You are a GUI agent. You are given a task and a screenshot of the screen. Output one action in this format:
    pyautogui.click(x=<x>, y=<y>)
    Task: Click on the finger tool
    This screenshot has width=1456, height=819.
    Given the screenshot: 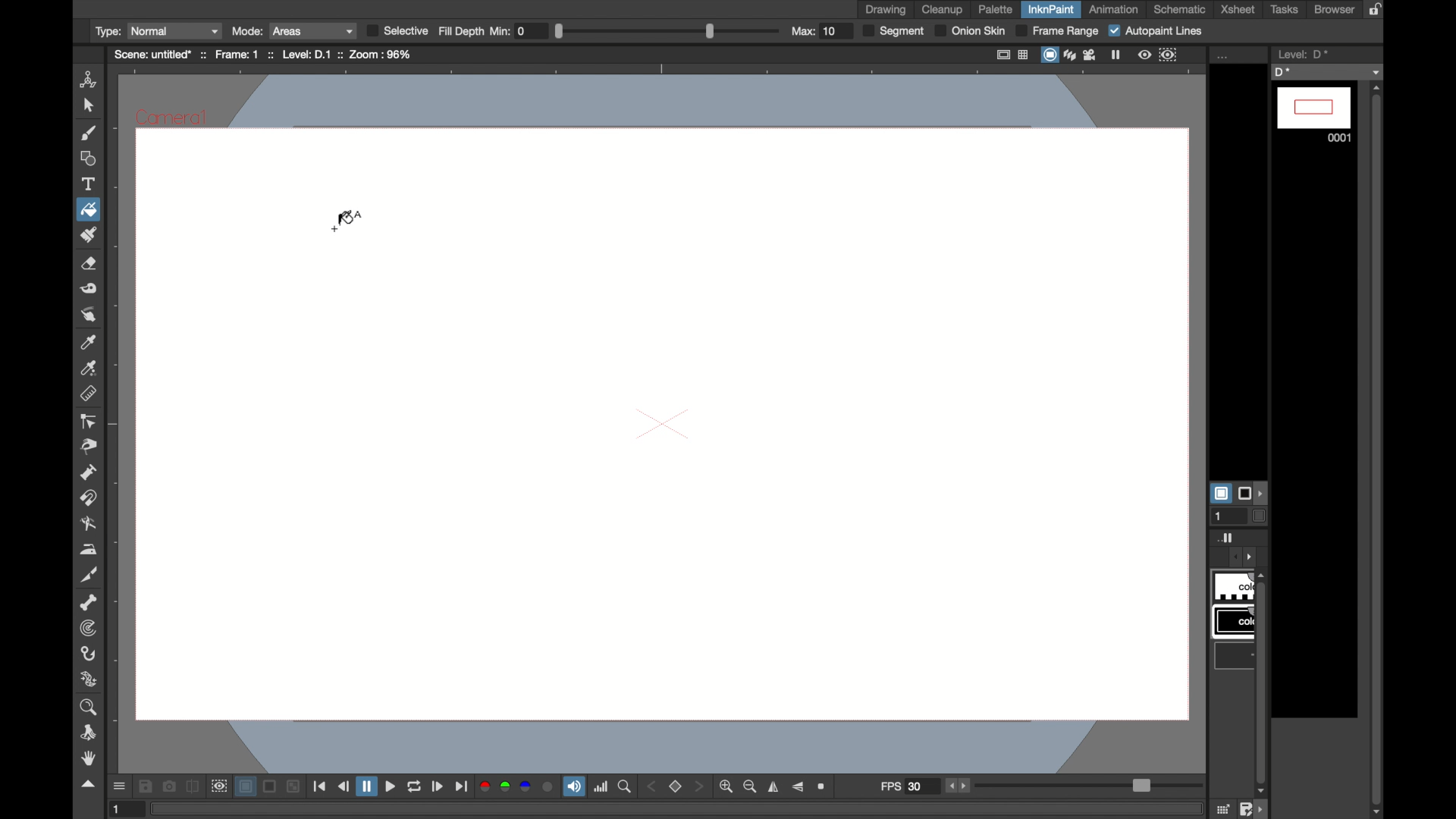 What is the action you would take?
    pyautogui.click(x=87, y=314)
    